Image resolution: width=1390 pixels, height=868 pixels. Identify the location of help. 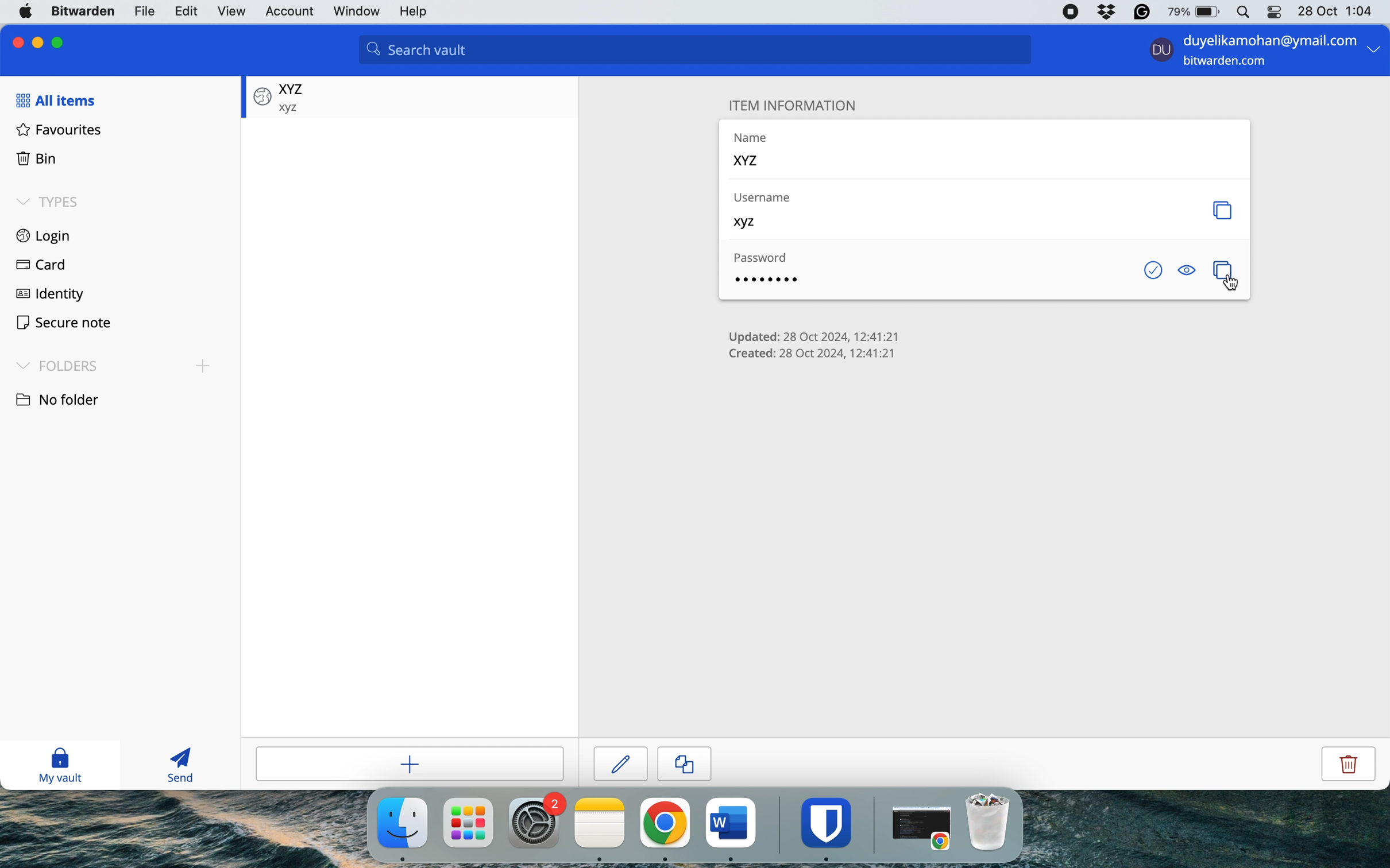
(419, 13).